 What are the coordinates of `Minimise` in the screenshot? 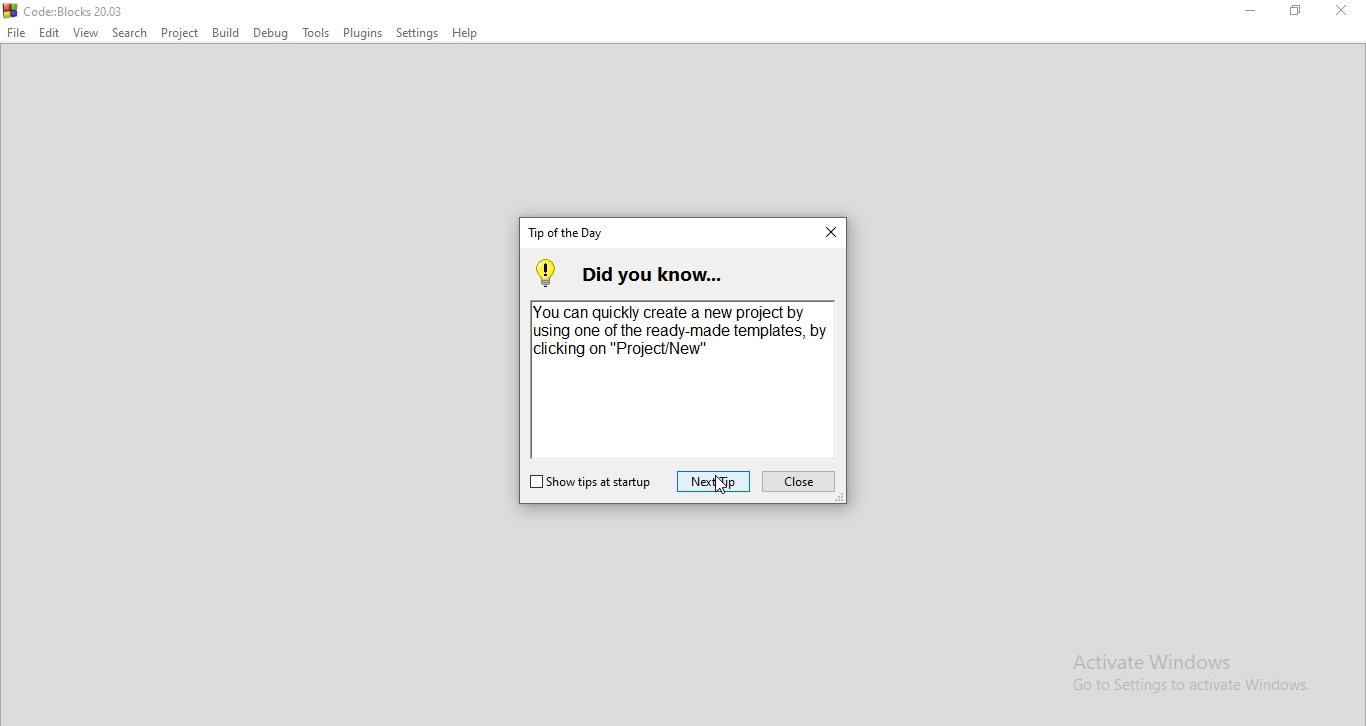 It's located at (1248, 12).